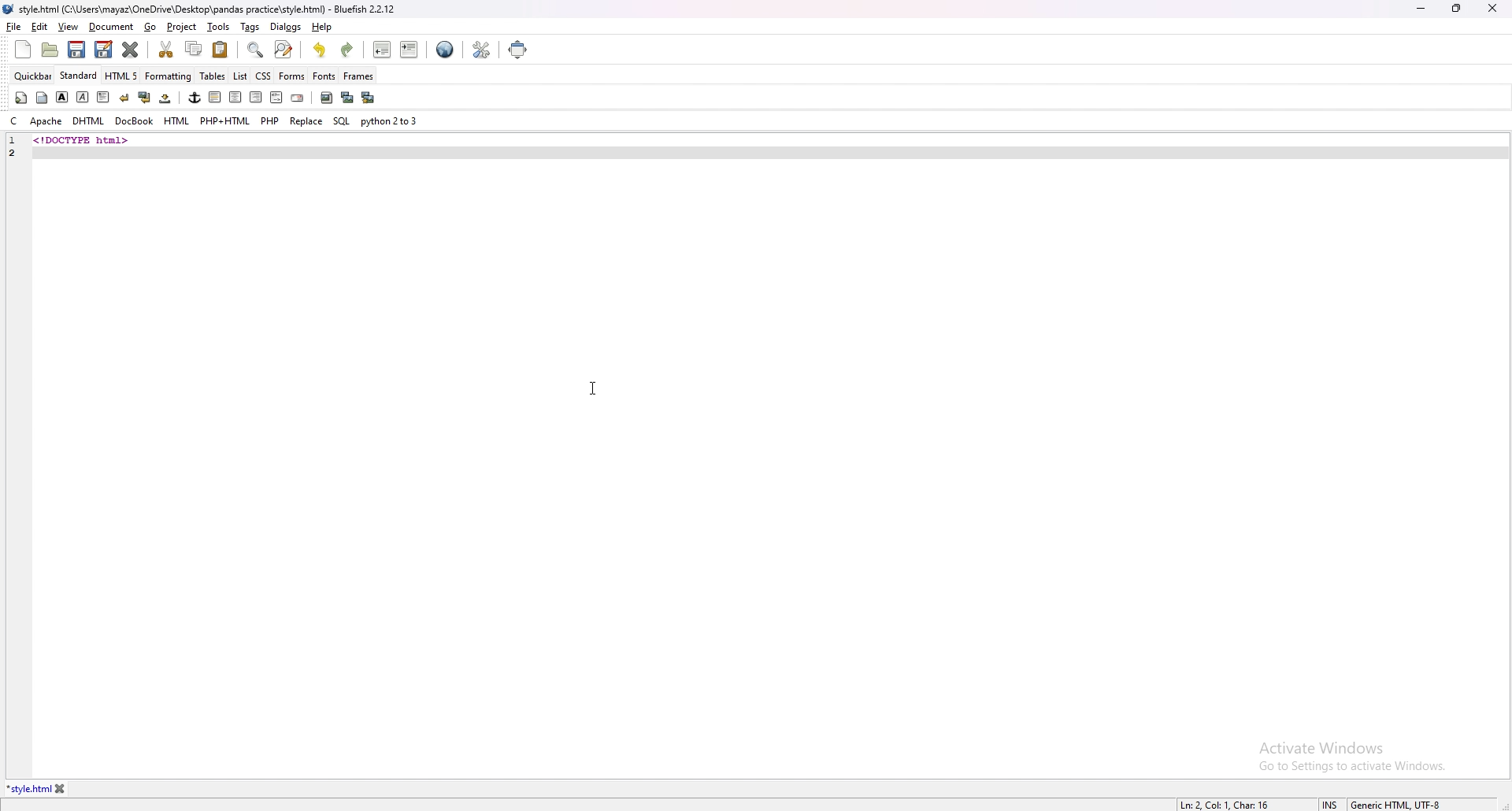 The height and width of the screenshot is (811, 1512). Describe the element at coordinates (326, 98) in the screenshot. I see `insert image` at that location.